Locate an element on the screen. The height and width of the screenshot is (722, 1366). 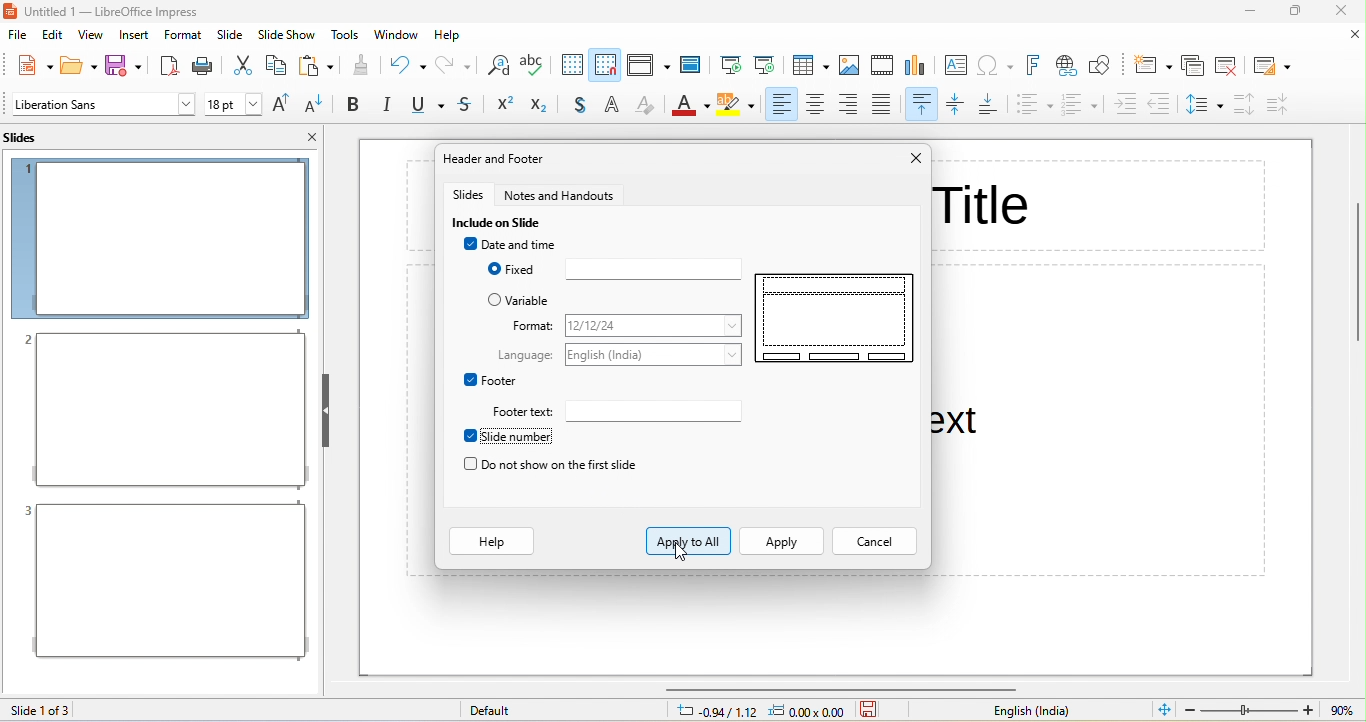
new is located at coordinates (29, 64).